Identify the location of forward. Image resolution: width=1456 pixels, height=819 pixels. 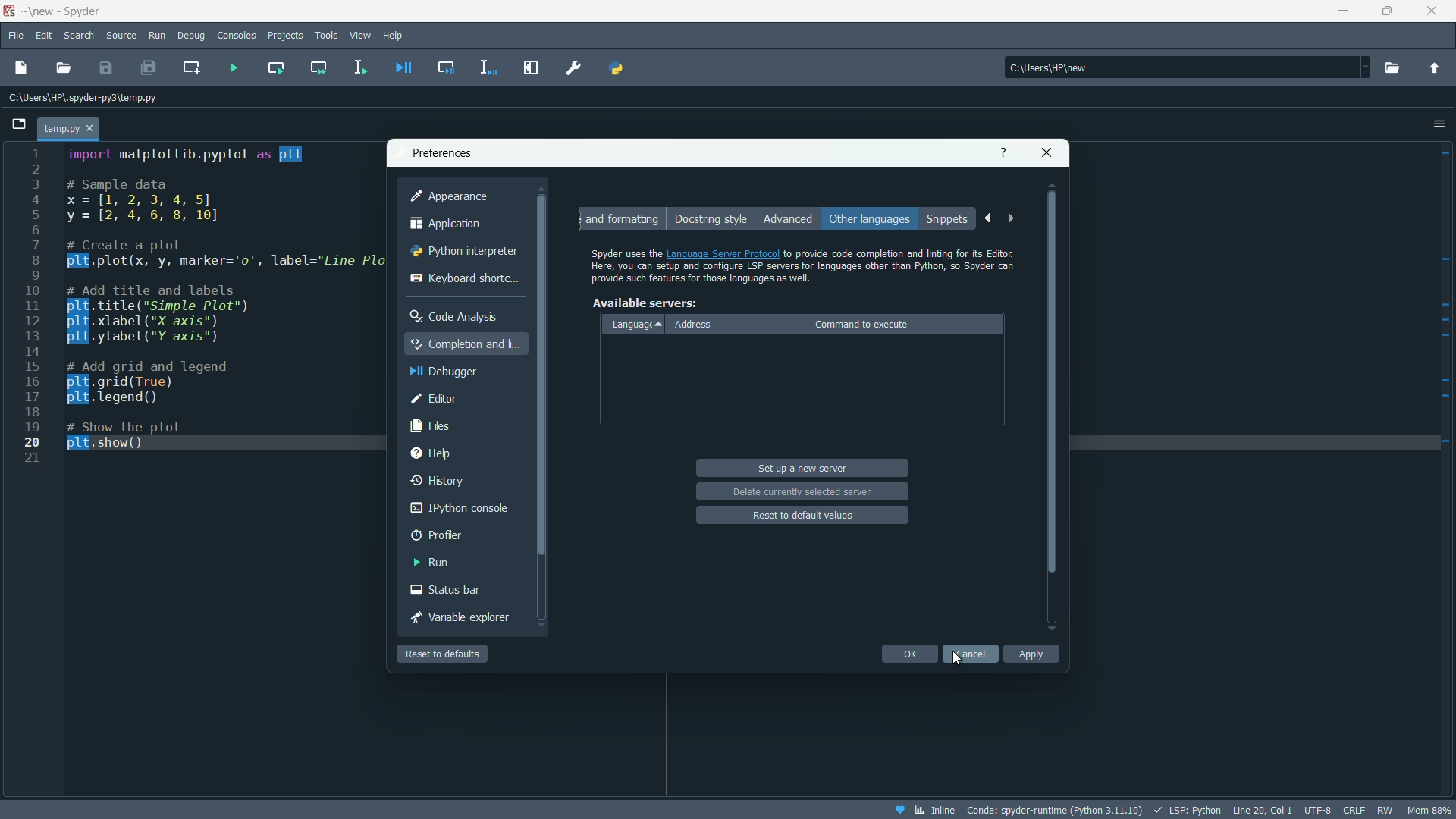
(1013, 220).